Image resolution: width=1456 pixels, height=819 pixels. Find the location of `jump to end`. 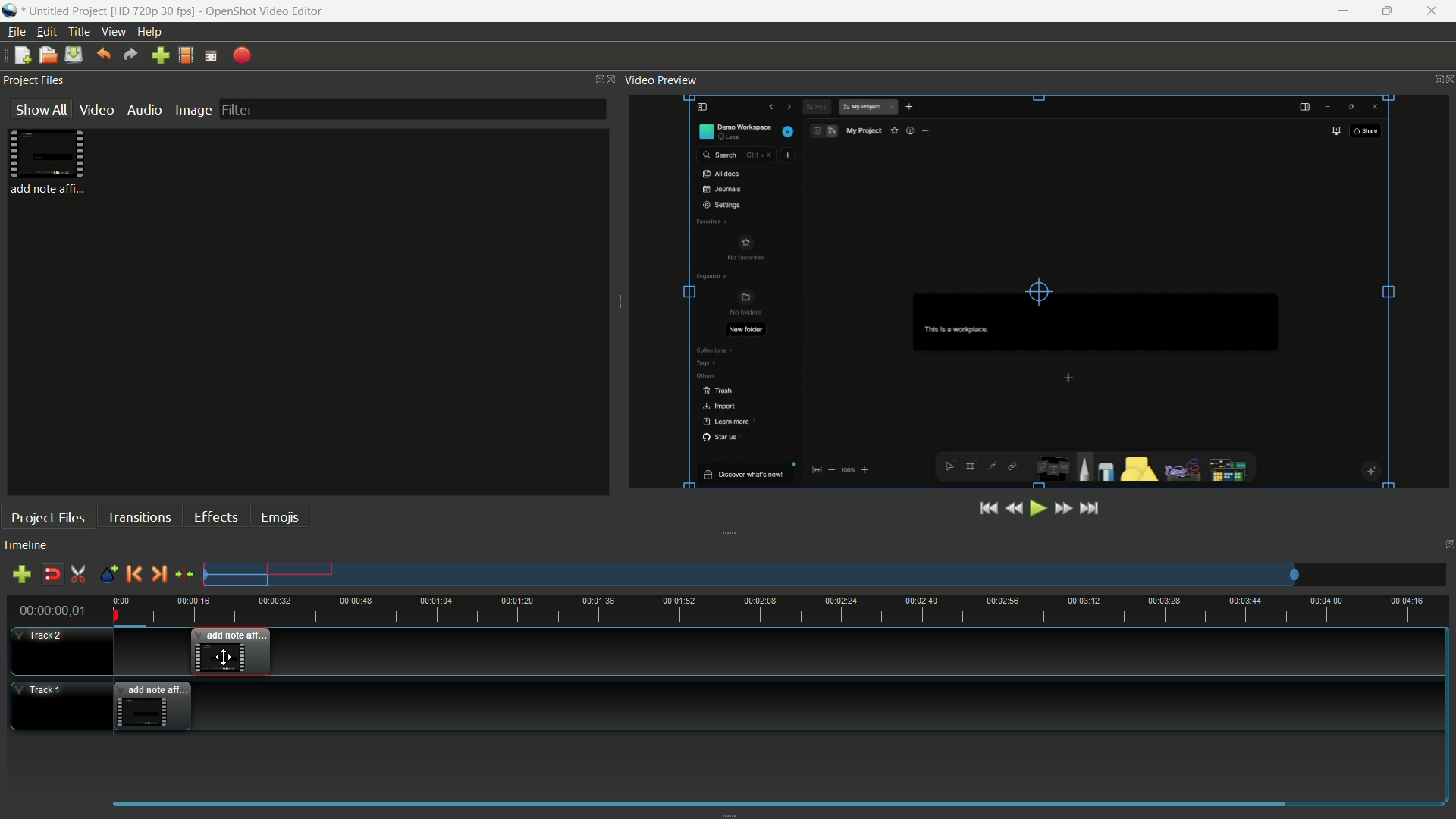

jump to end is located at coordinates (1090, 509).